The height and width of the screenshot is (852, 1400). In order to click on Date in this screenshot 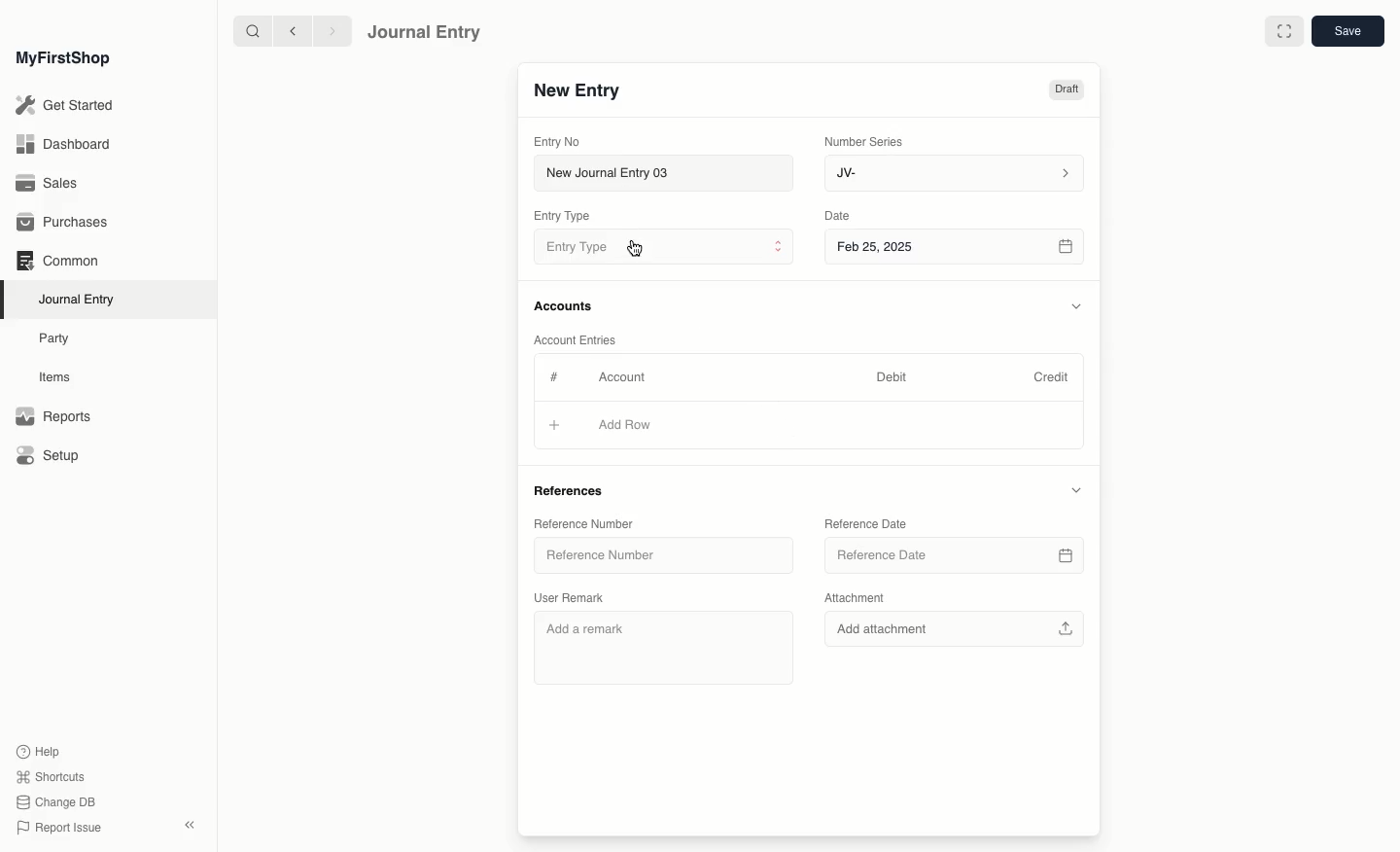, I will do `click(838, 216)`.